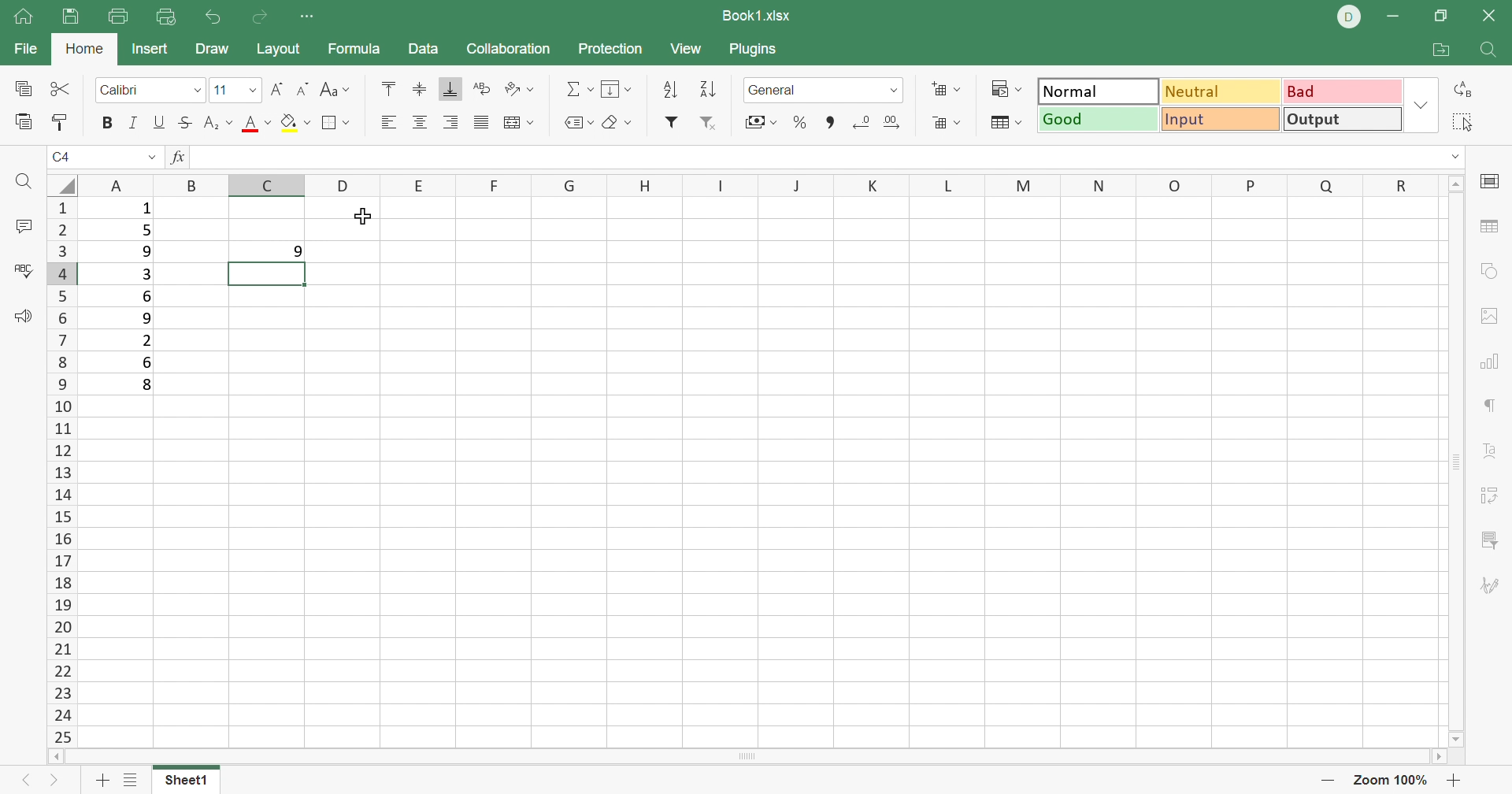 Image resolution: width=1512 pixels, height=794 pixels. Describe the element at coordinates (508, 48) in the screenshot. I see `Collaboration` at that location.